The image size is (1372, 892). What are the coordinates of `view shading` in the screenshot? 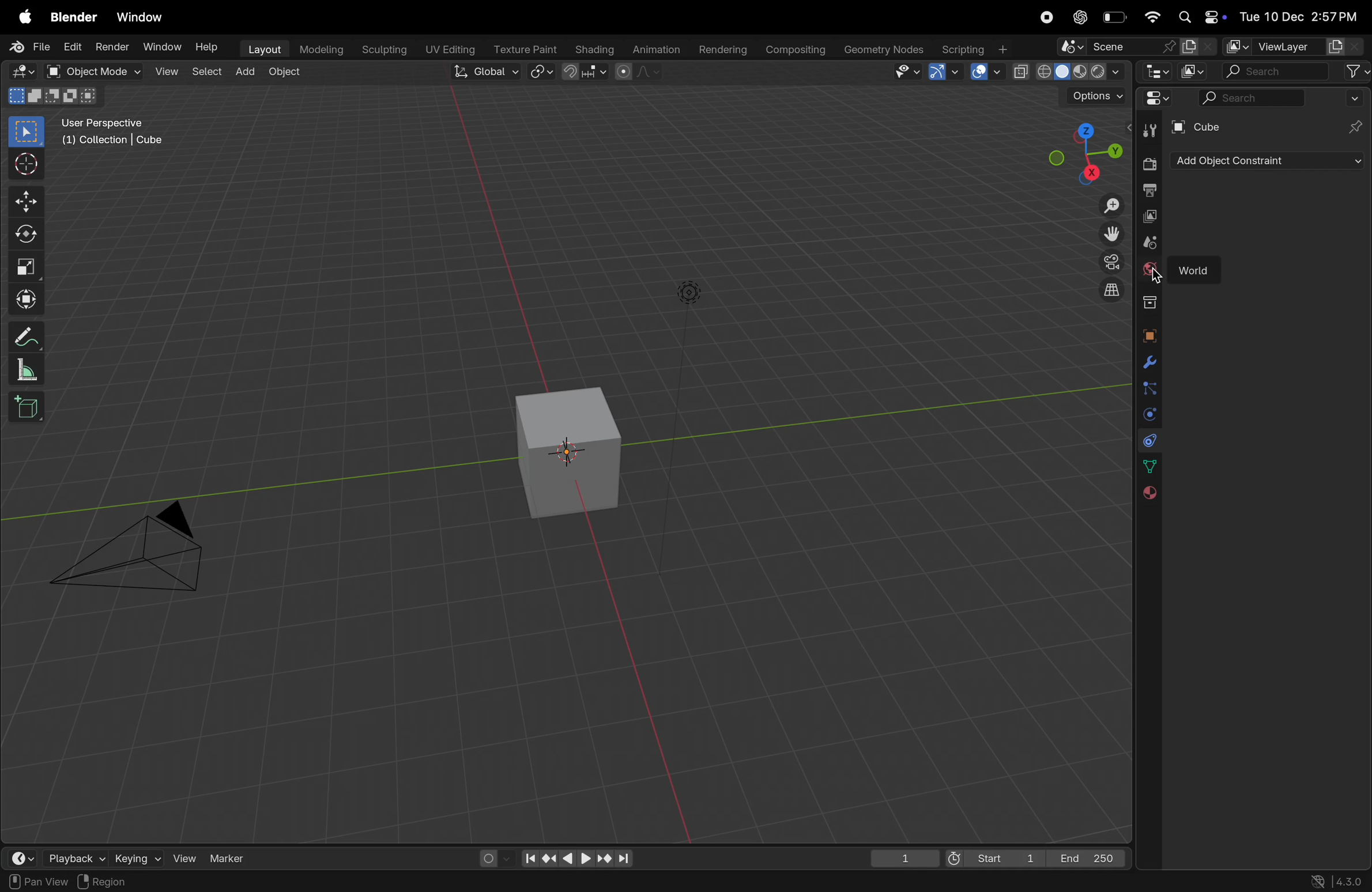 It's located at (1067, 73).